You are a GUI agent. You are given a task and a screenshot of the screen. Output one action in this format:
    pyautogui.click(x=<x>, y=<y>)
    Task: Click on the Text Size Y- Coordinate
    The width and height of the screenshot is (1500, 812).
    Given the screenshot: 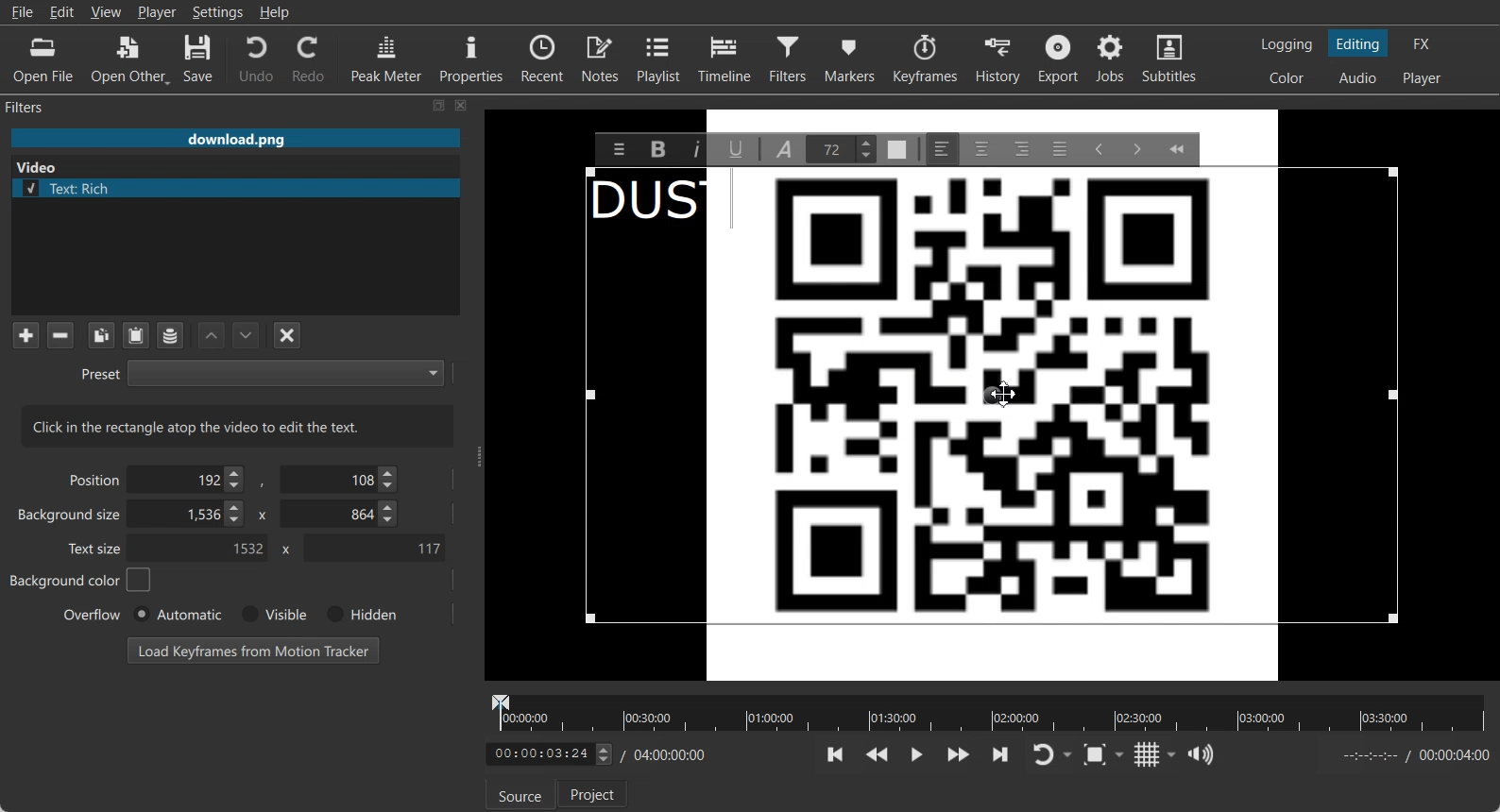 What is the action you would take?
    pyautogui.click(x=374, y=547)
    